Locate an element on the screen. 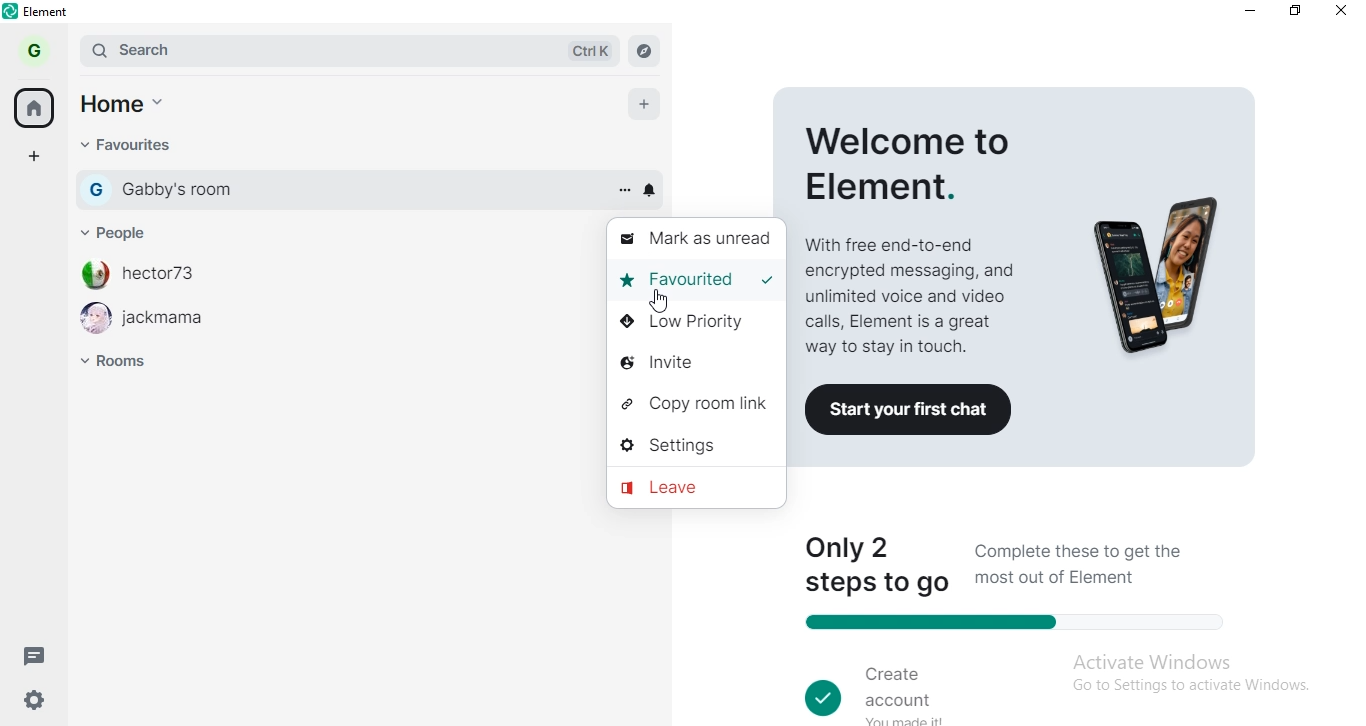 Image resolution: width=1366 pixels, height=726 pixels. create account is located at coordinates (894, 686).